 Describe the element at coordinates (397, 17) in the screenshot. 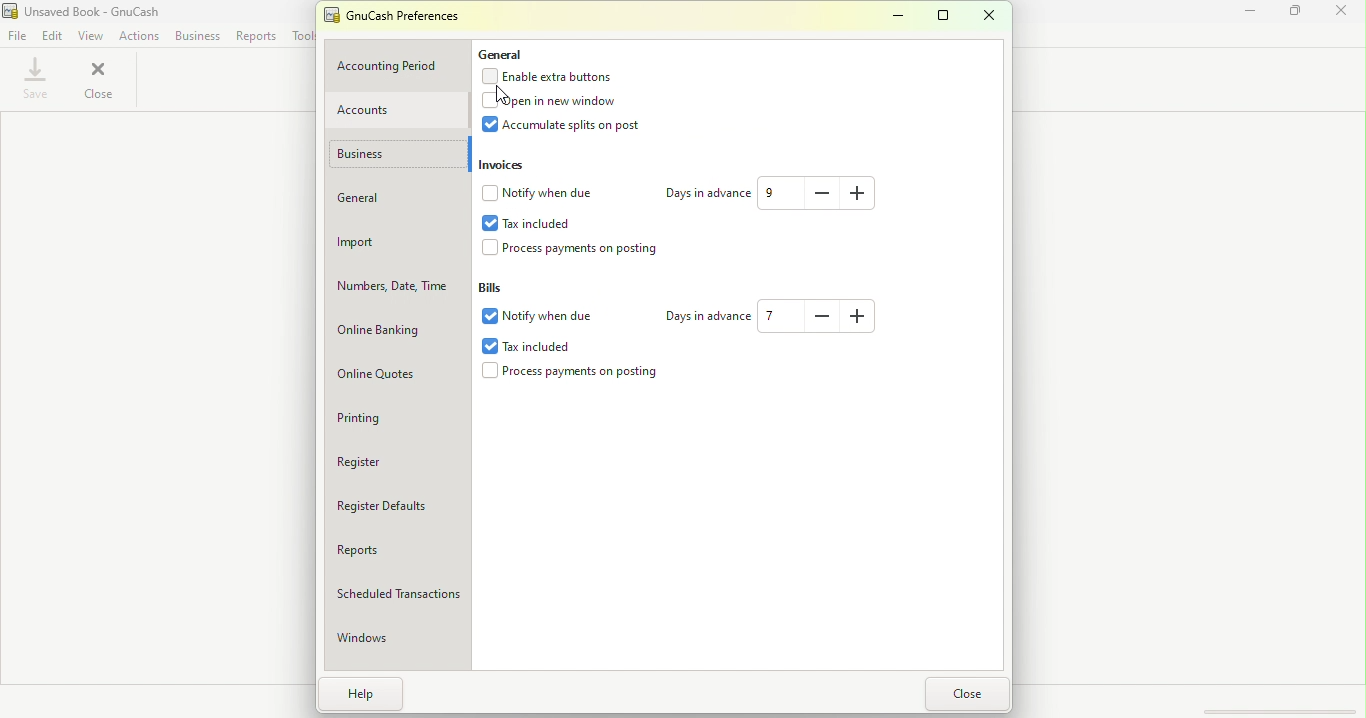

I see `GnuCash preferences` at that location.